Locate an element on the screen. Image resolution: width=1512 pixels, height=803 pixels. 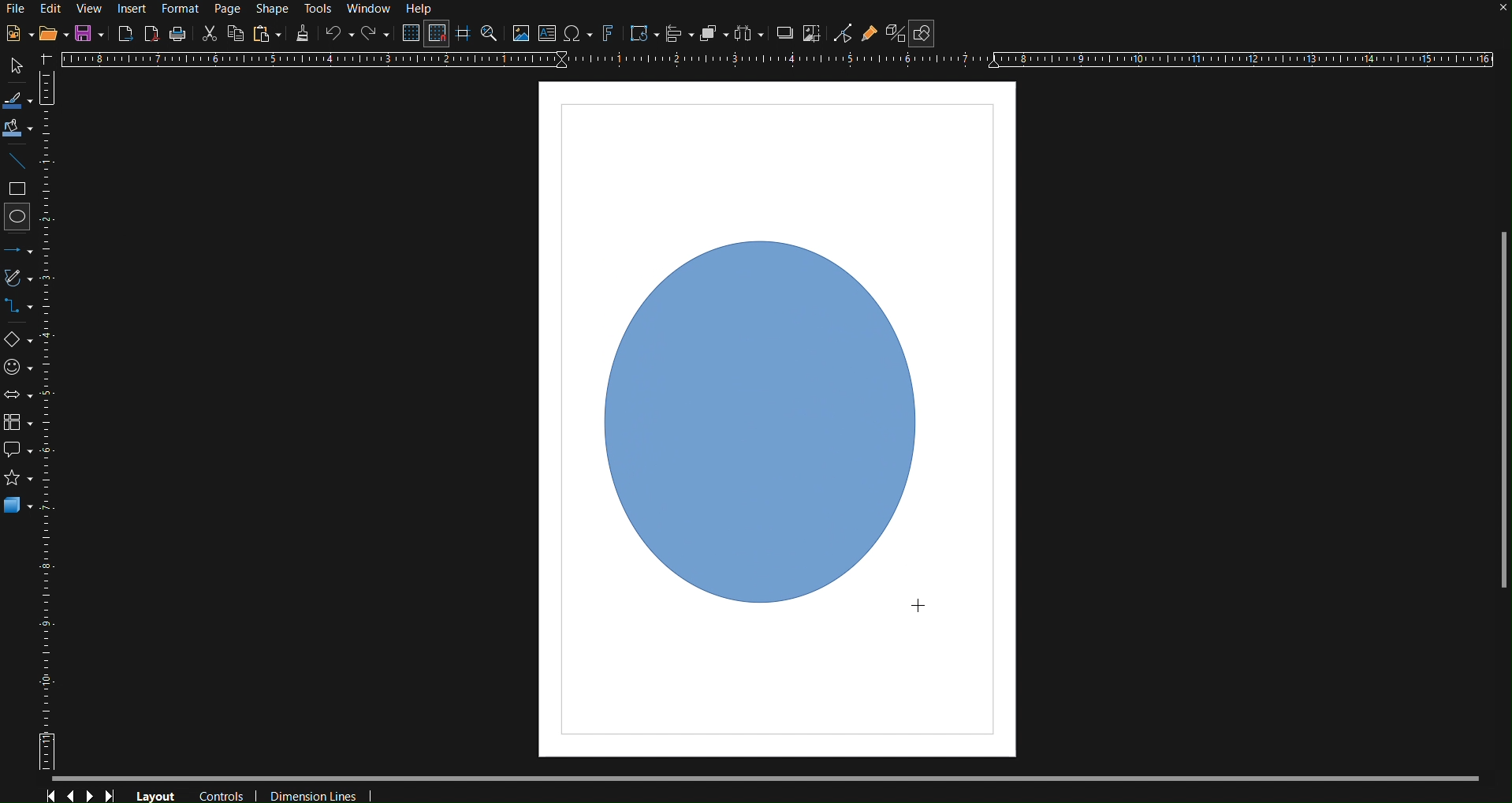
Edit is located at coordinates (51, 8).